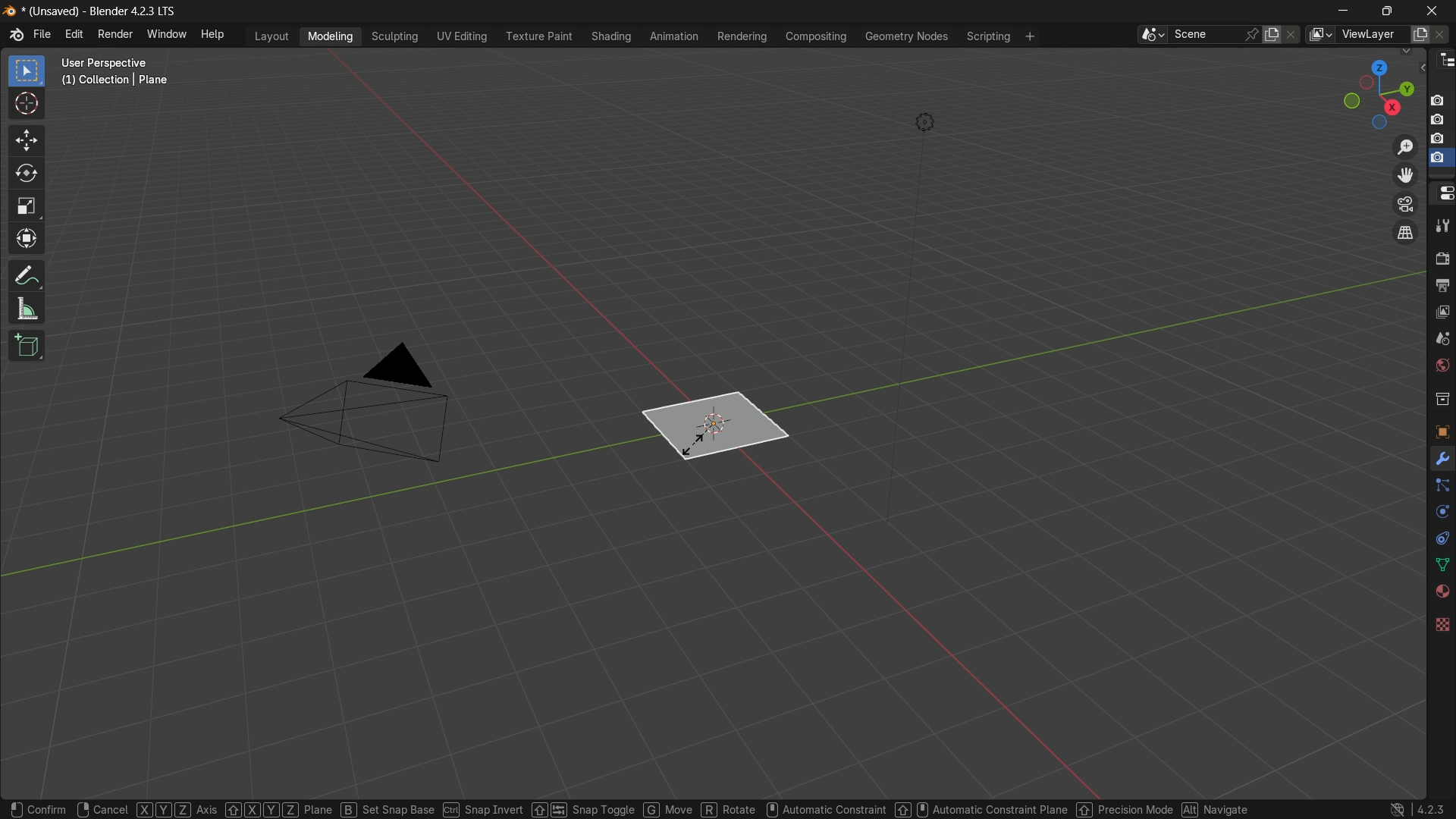 Image resolution: width=1456 pixels, height=819 pixels. What do you see at coordinates (1441, 97) in the screenshot?
I see `capture` at bounding box center [1441, 97].